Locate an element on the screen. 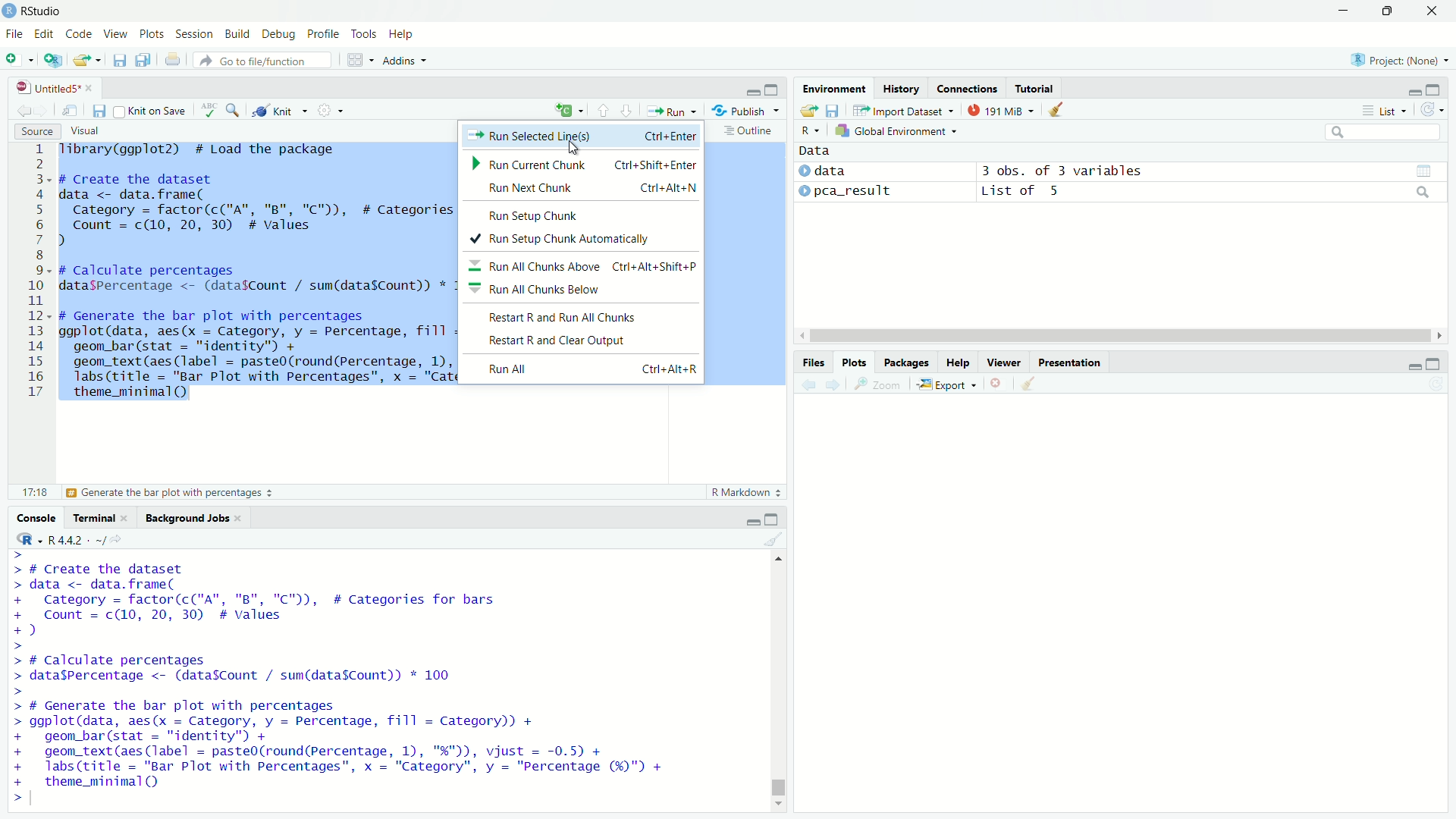  history is located at coordinates (901, 89).